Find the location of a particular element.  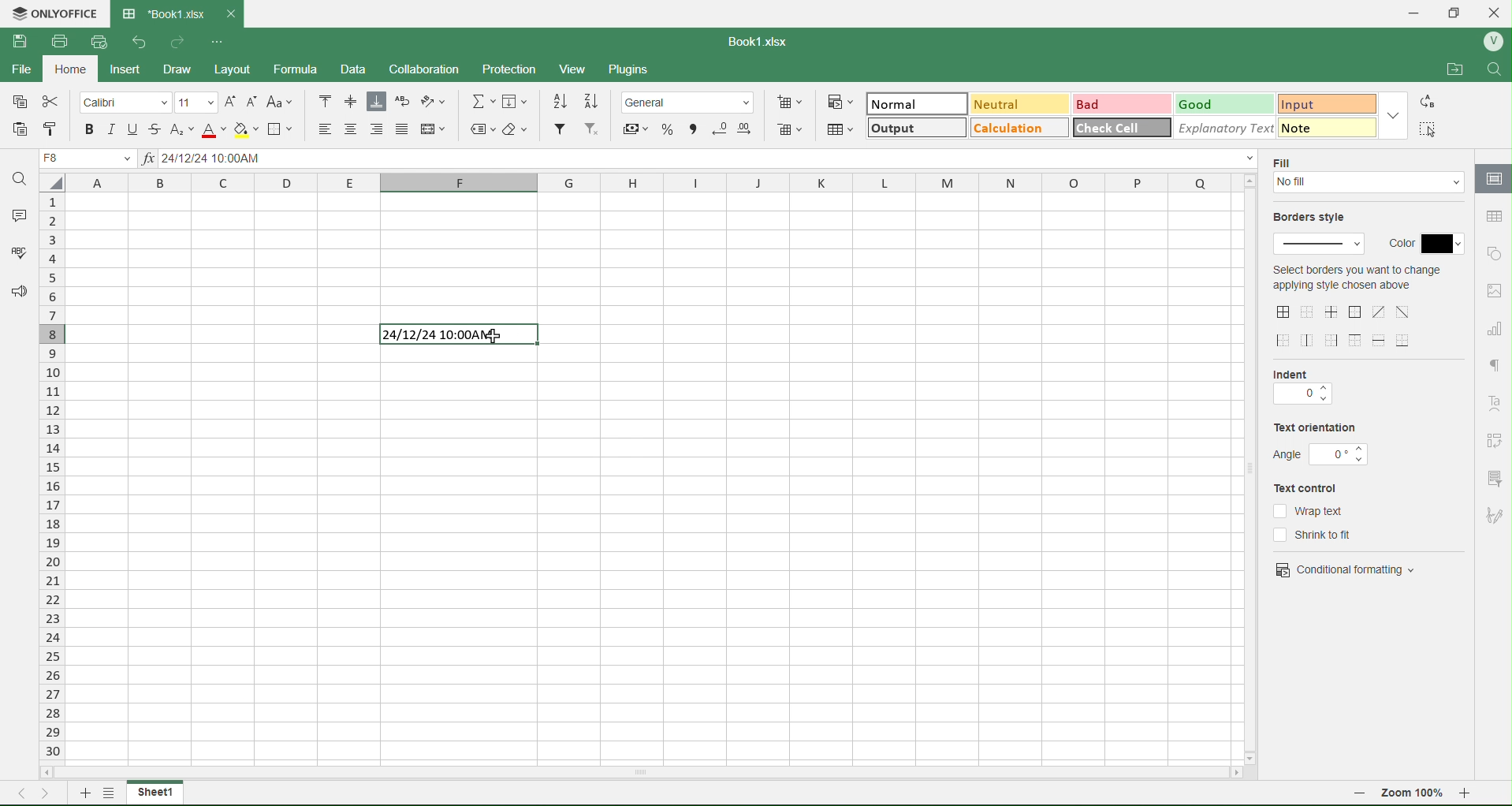

Subscript/Superscript is located at coordinates (181, 129).